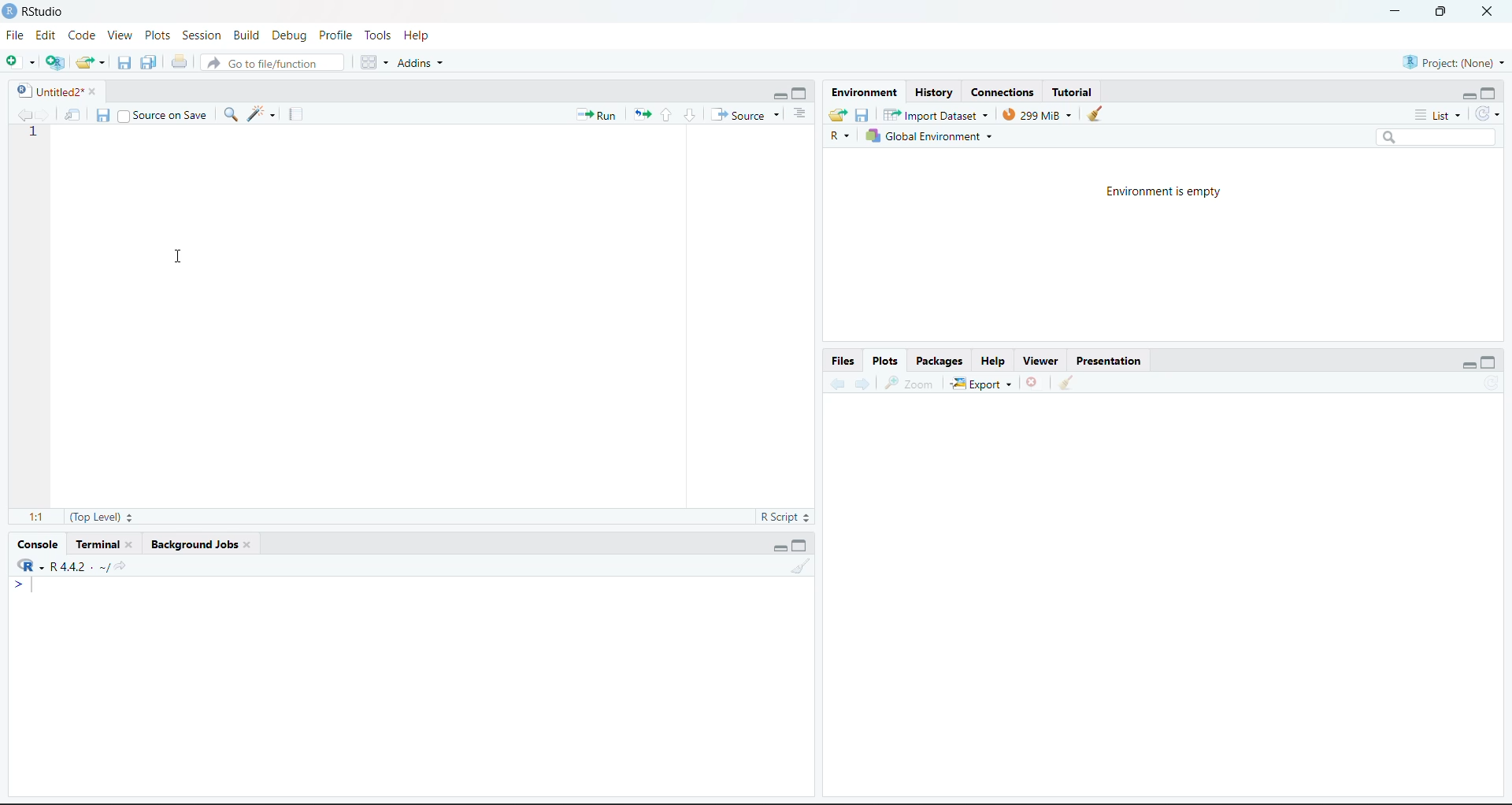 The width and height of the screenshot is (1512, 805). Describe the element at coordinates (781, 547) in the screenshot. I see `minimize` at that location.